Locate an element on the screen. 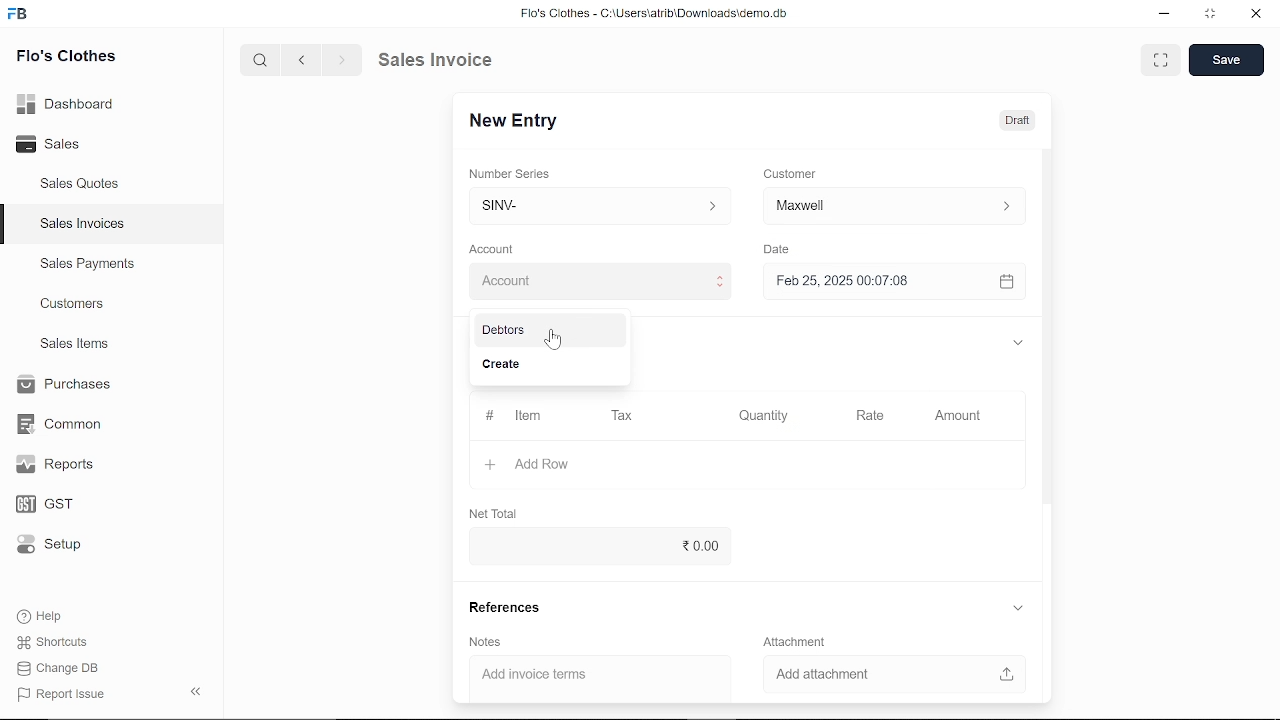 The width and height of the screenshot is (1280, 720). Customers is located at coordinates (74, 303).